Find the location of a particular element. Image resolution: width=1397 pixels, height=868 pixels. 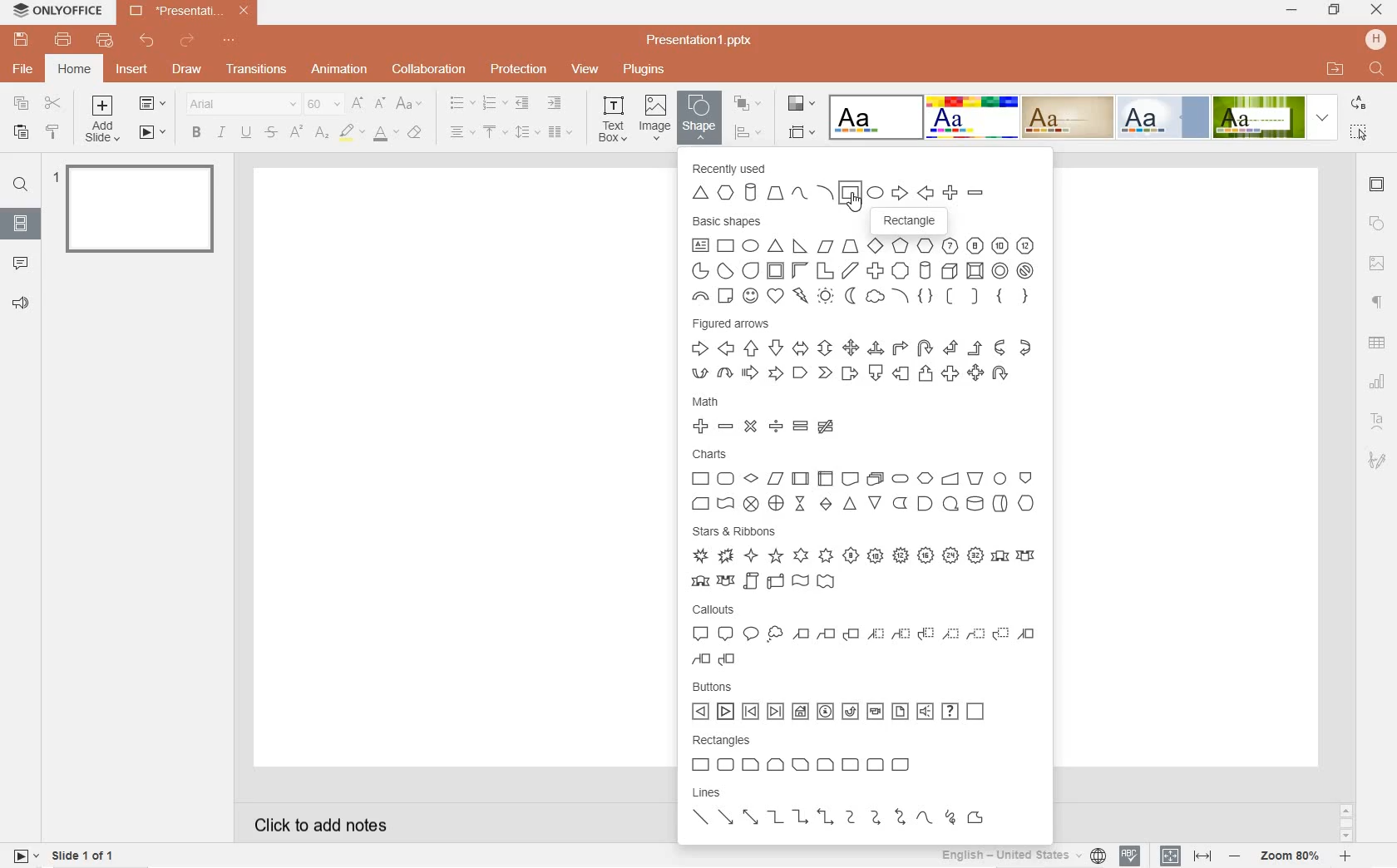

Triangle is located at coordinates (699, 192).